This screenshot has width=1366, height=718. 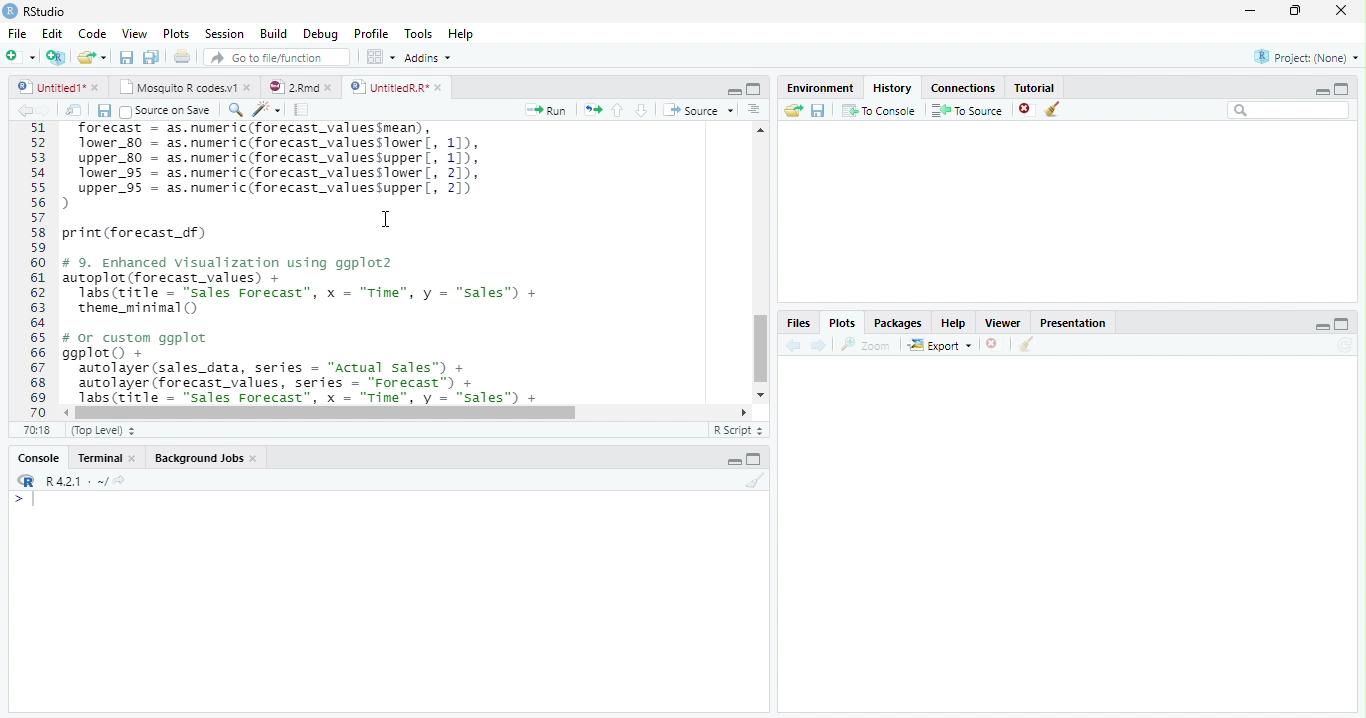 What do you see at coordinates (1321, 89) in the screenshot?
I see `Minimize` at bounding box center [1321, 89].